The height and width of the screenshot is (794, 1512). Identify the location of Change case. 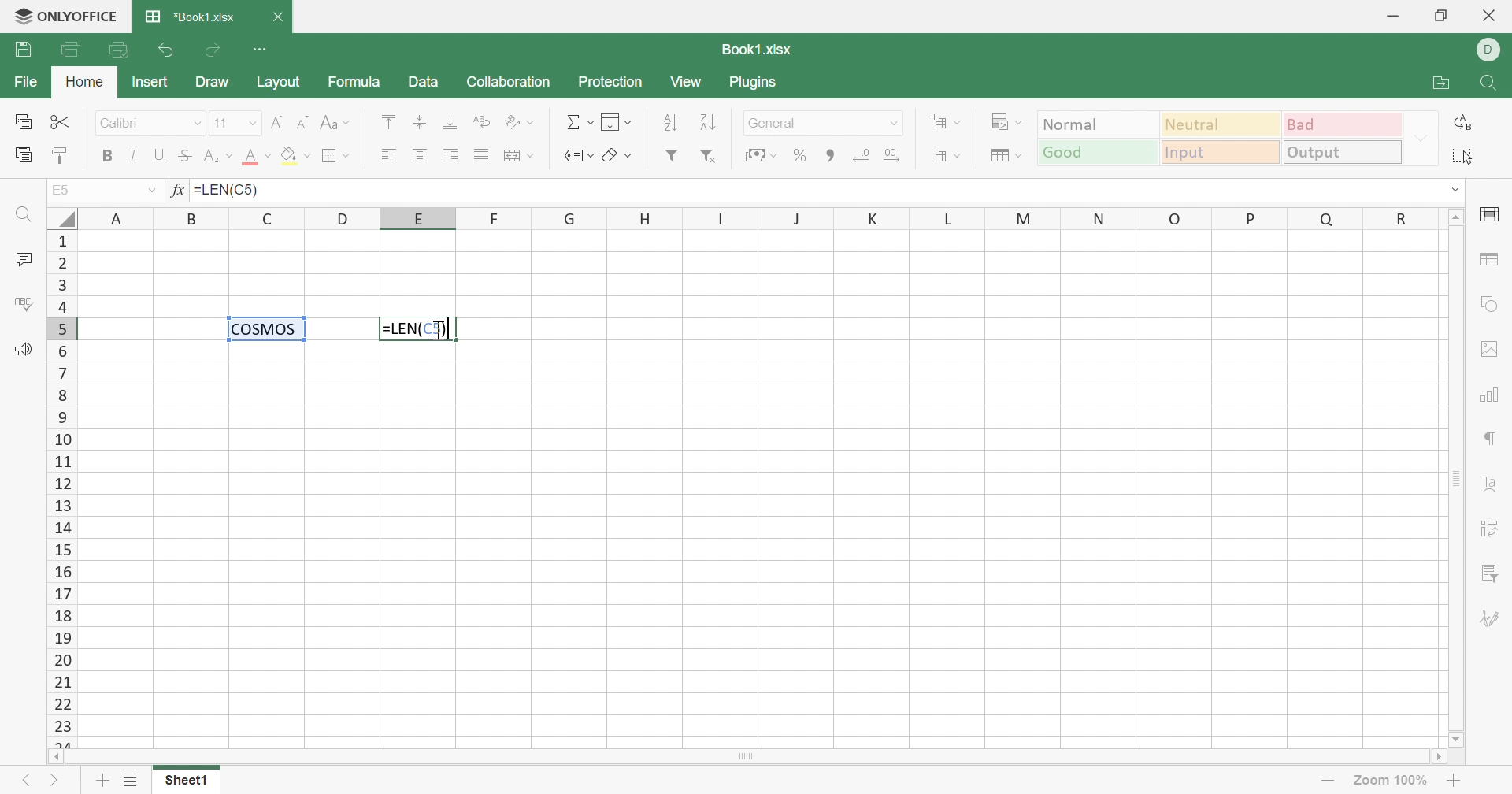
(335, 123).